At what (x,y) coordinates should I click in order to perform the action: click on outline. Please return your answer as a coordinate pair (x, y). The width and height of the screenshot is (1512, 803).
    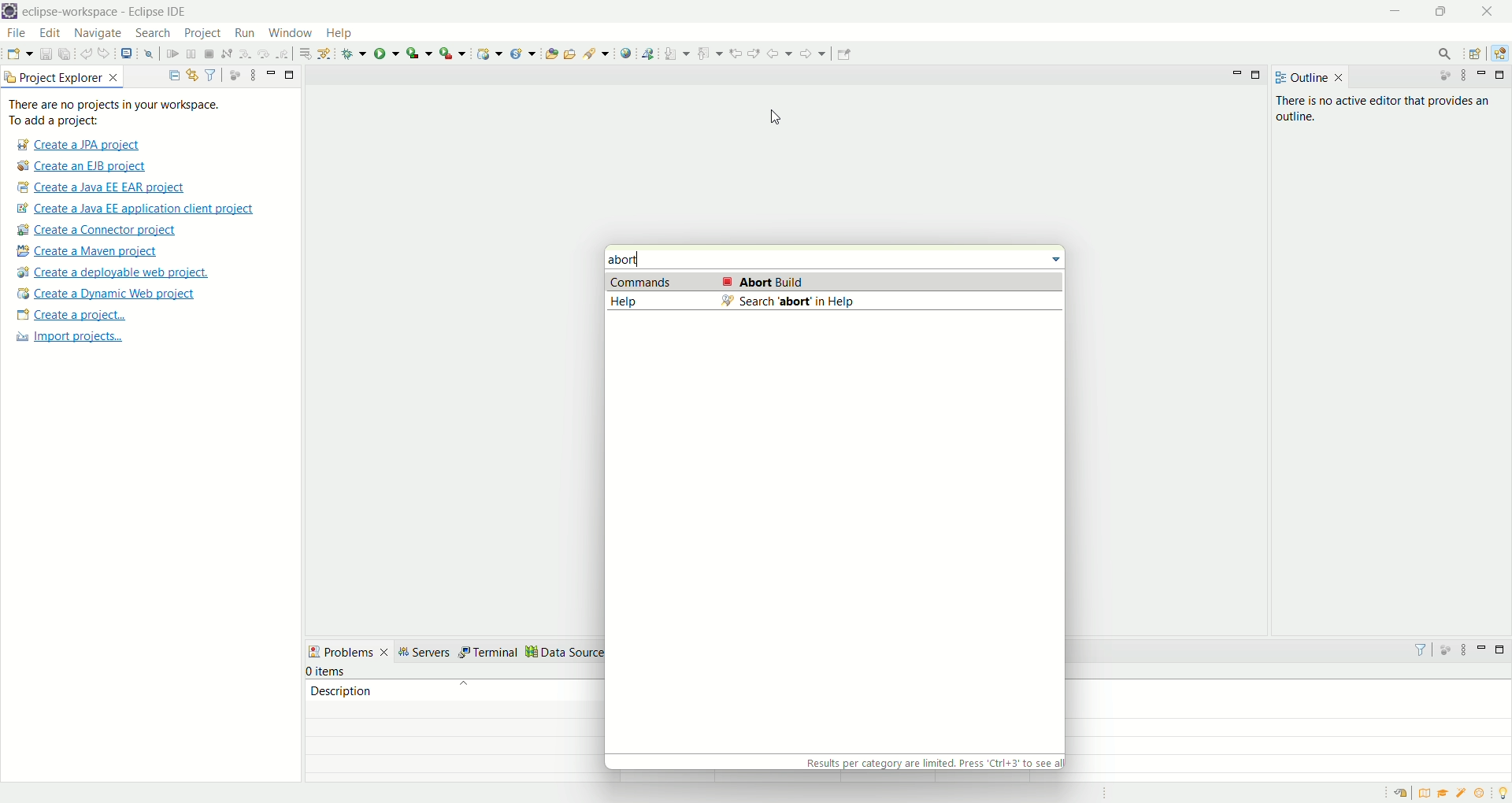
    Looking at the image, I should click on (1309, 77).